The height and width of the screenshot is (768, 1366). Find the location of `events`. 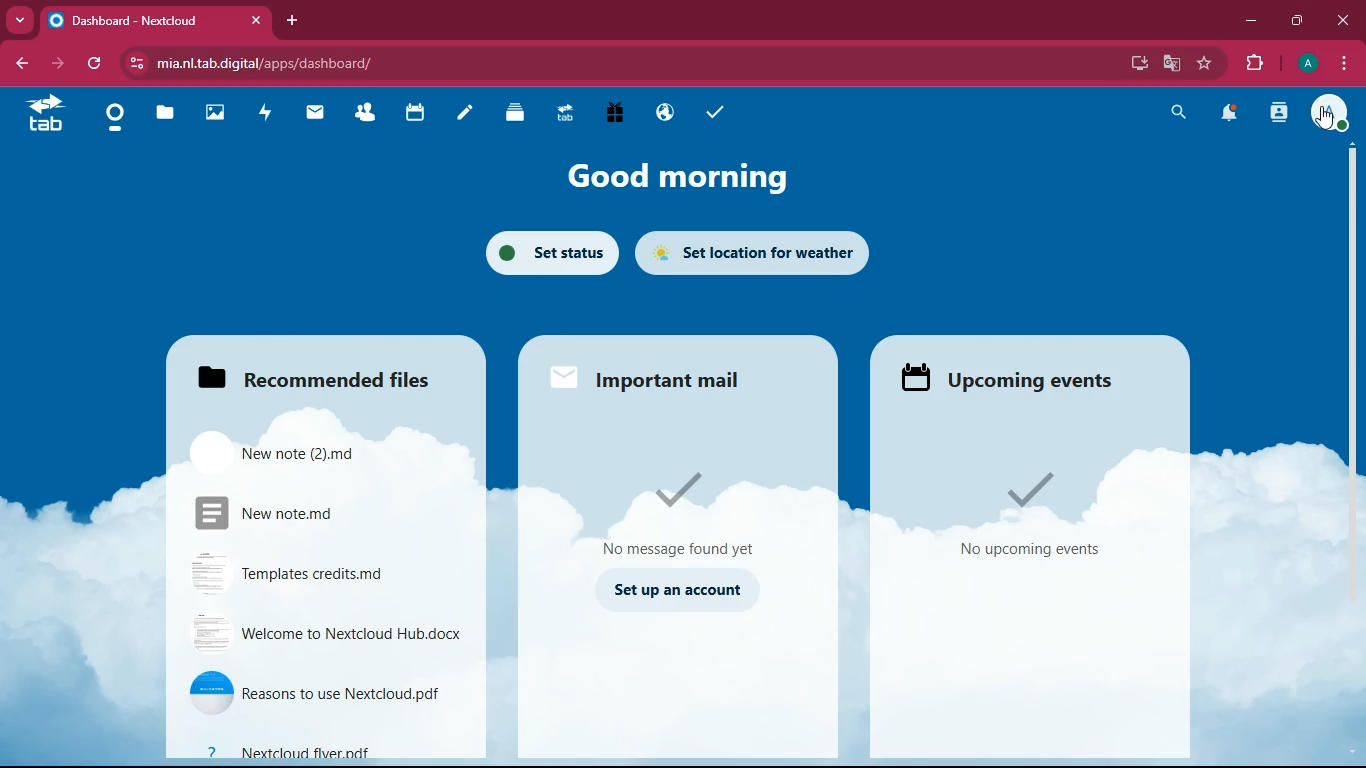

events is located at coordinates (1041, 518).